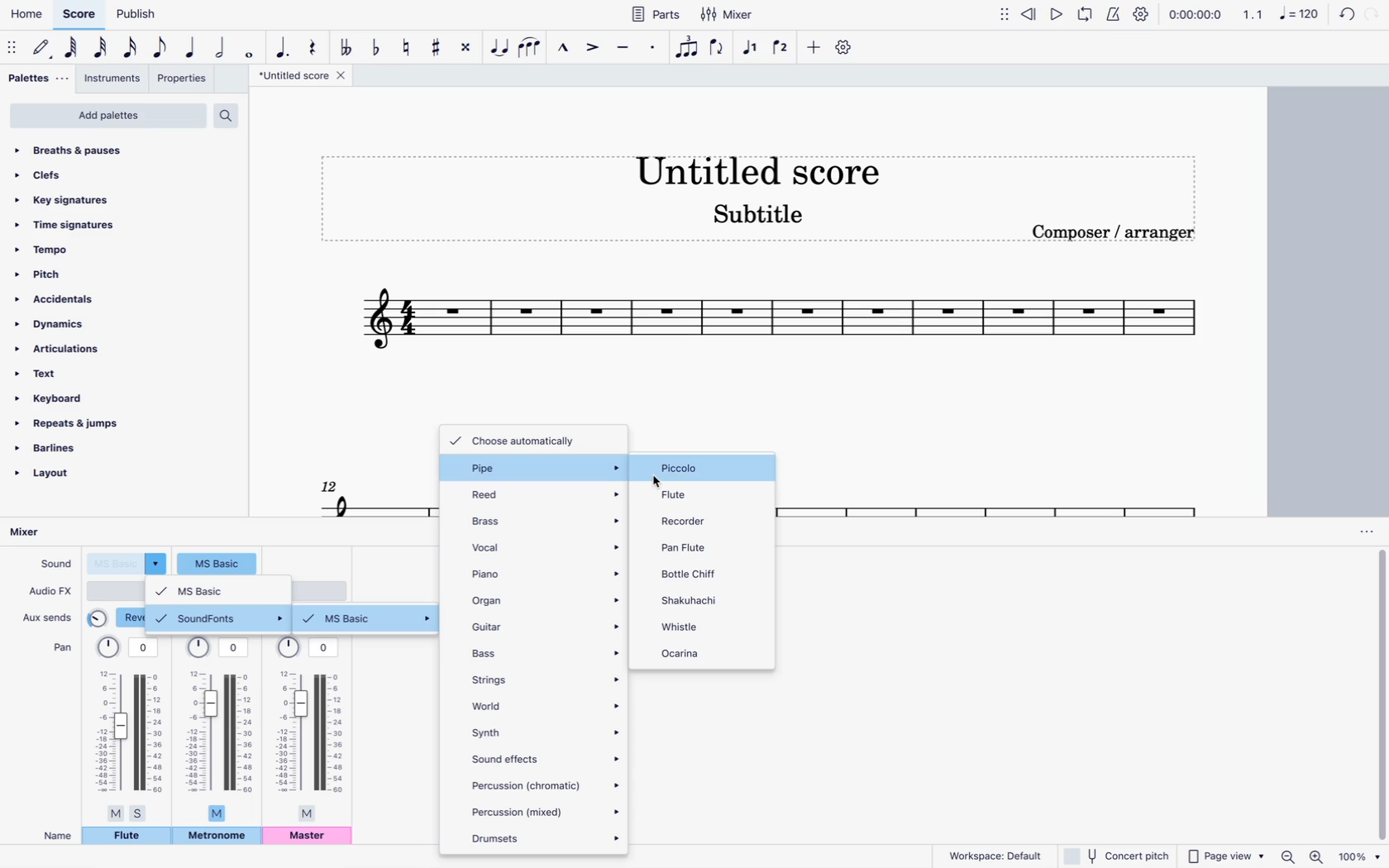 This screenshot has height=868, width=1389. What do you see at coordinates (710, 469) in the screenshot?
I see `piccolo` at bounding box center [710, 469].